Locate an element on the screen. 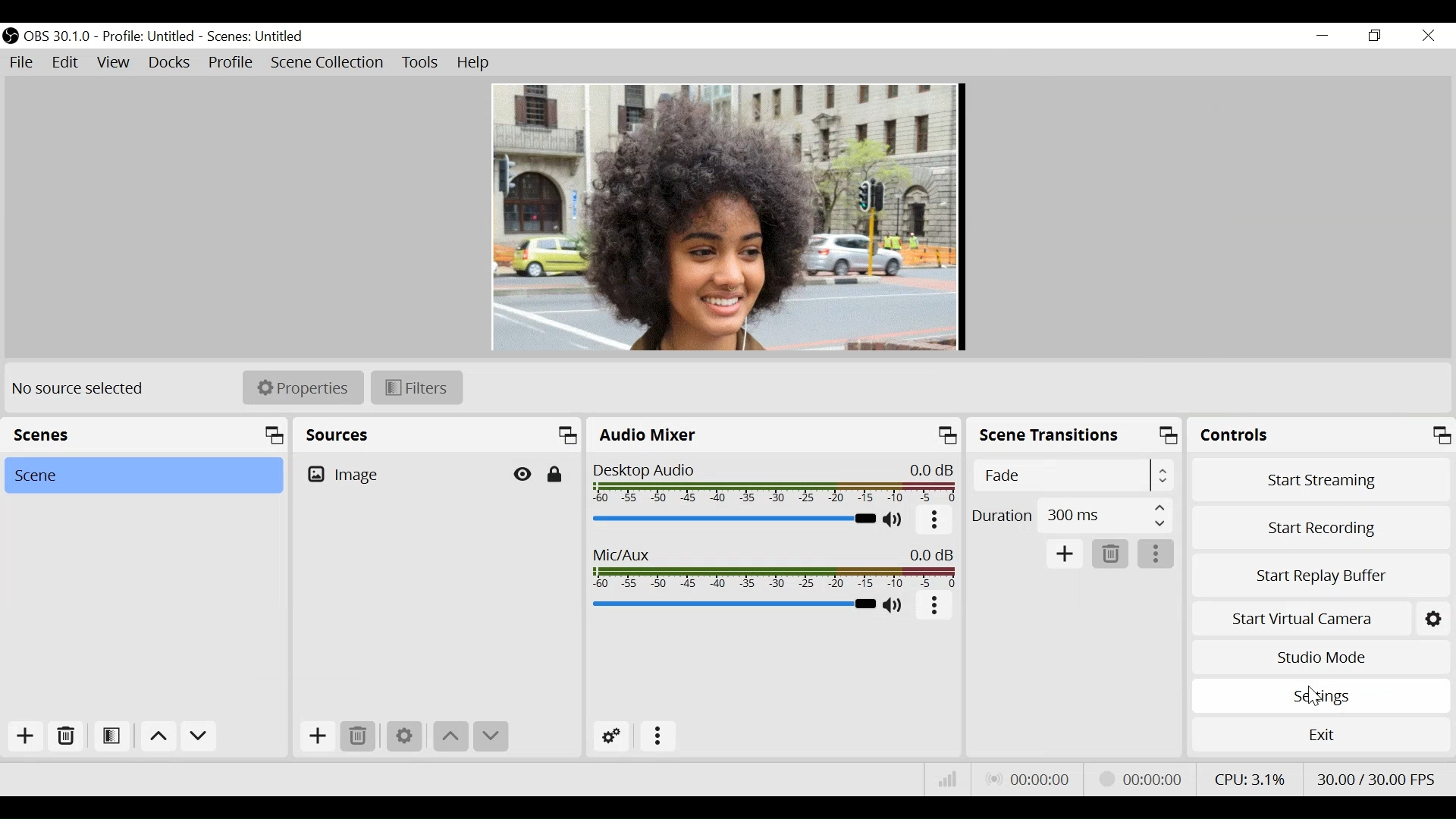 The height and width of the screenshot is (819, 1456). Start Replay Buffer is located at coordinates (1322, 576).